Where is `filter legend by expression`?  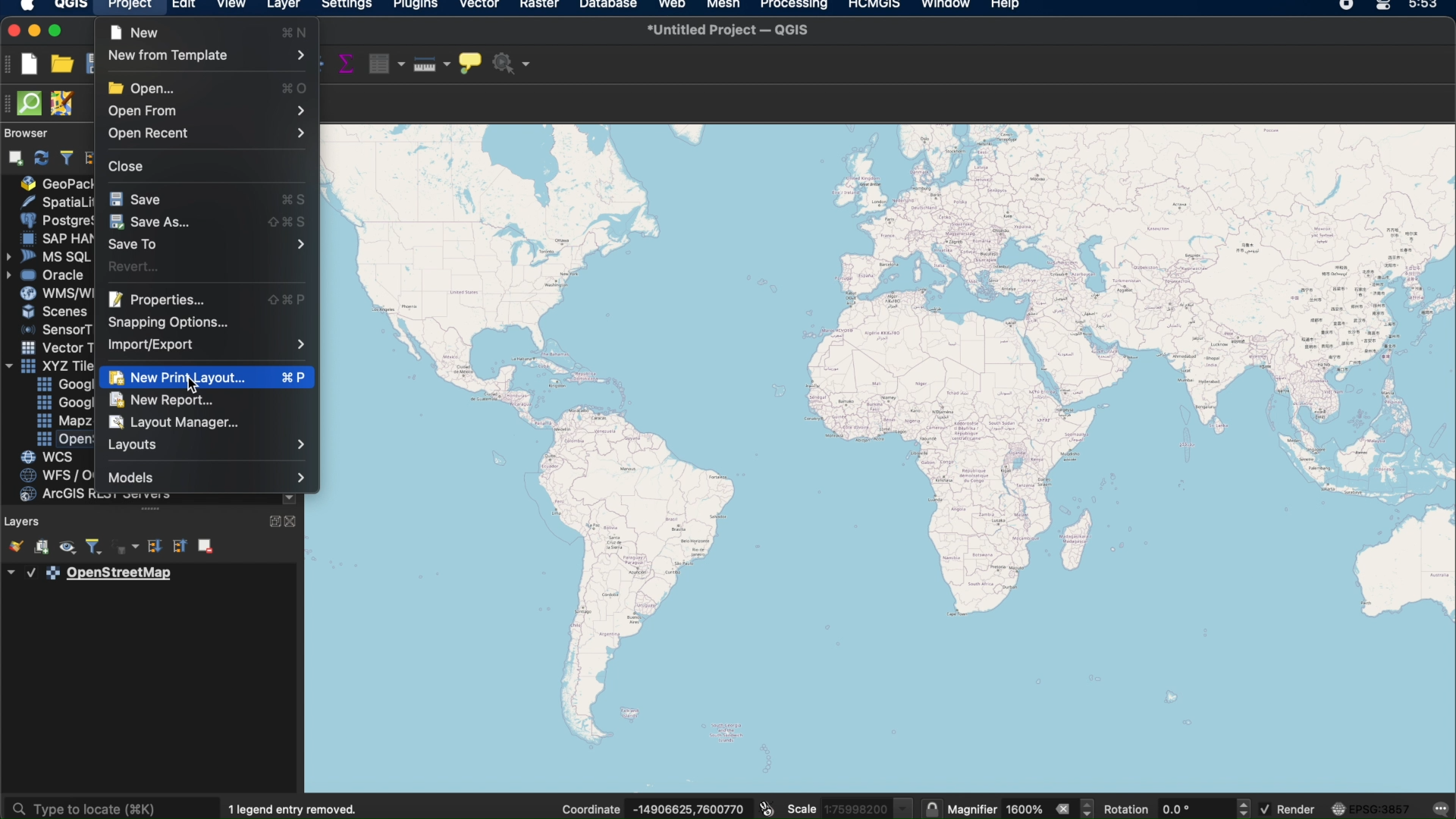
filter legend by expression is located at coordinates (125, 547).